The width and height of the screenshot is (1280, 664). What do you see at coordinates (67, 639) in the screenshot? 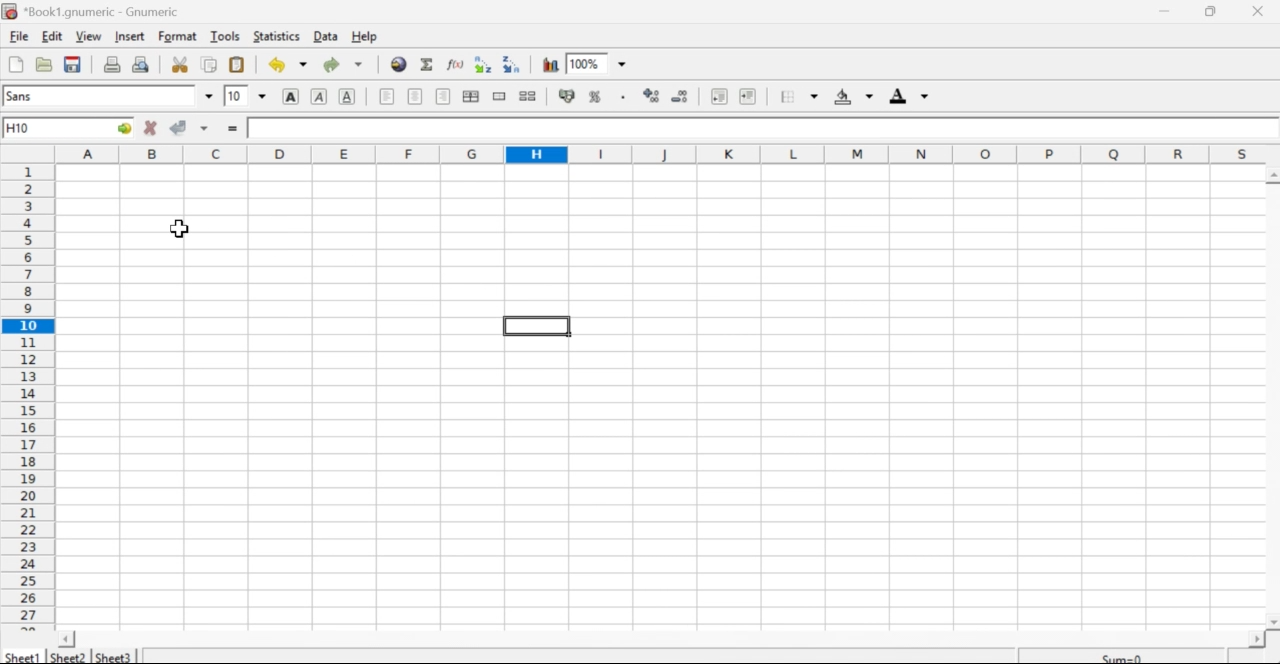
I see `scroll left` at bounding box center [67, 639].